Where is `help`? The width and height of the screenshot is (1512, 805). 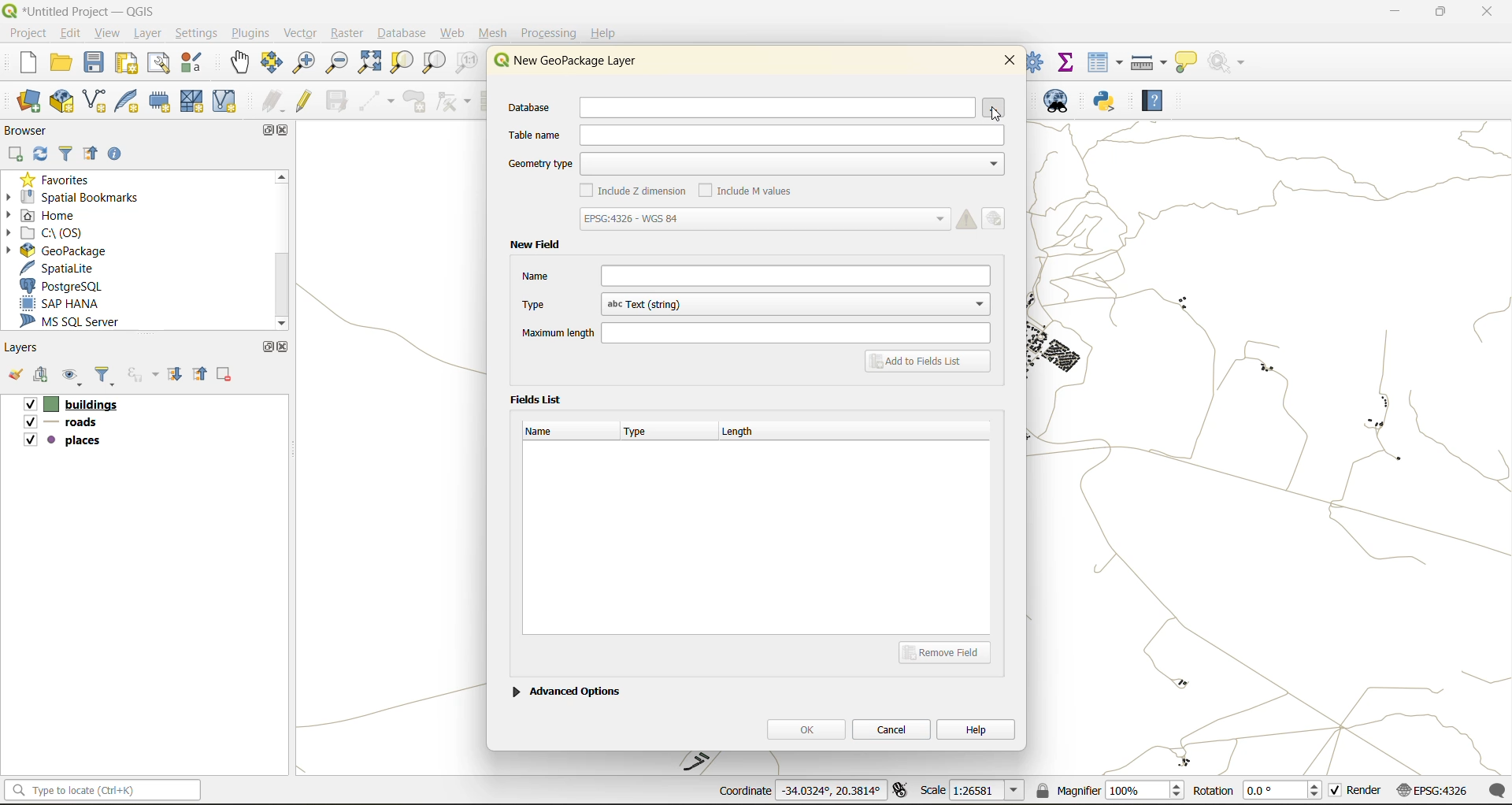 help is located at coordinates (1152, 103).